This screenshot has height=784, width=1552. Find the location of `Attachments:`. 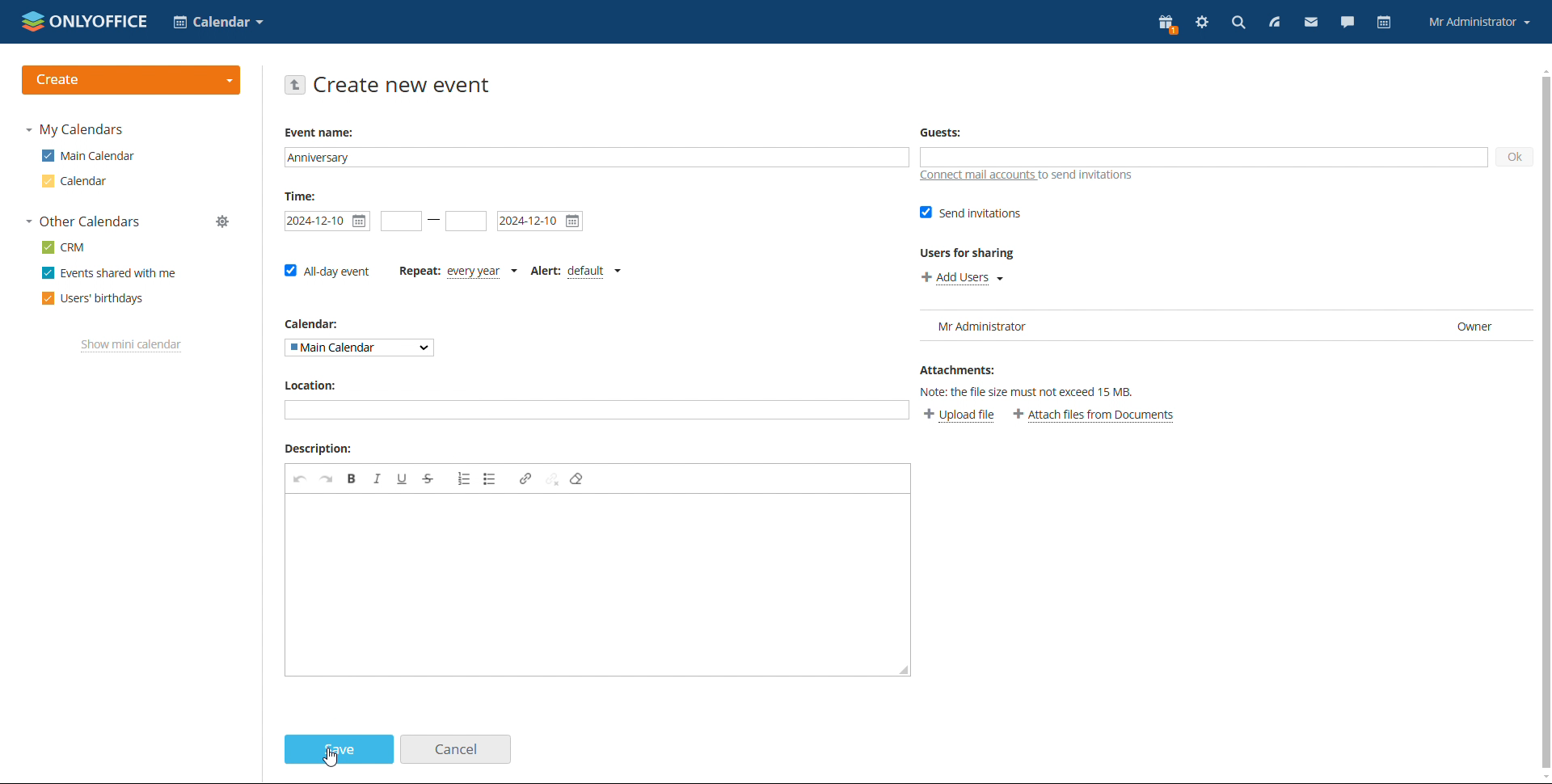

Attachments: is located at coordinates (959, 369).